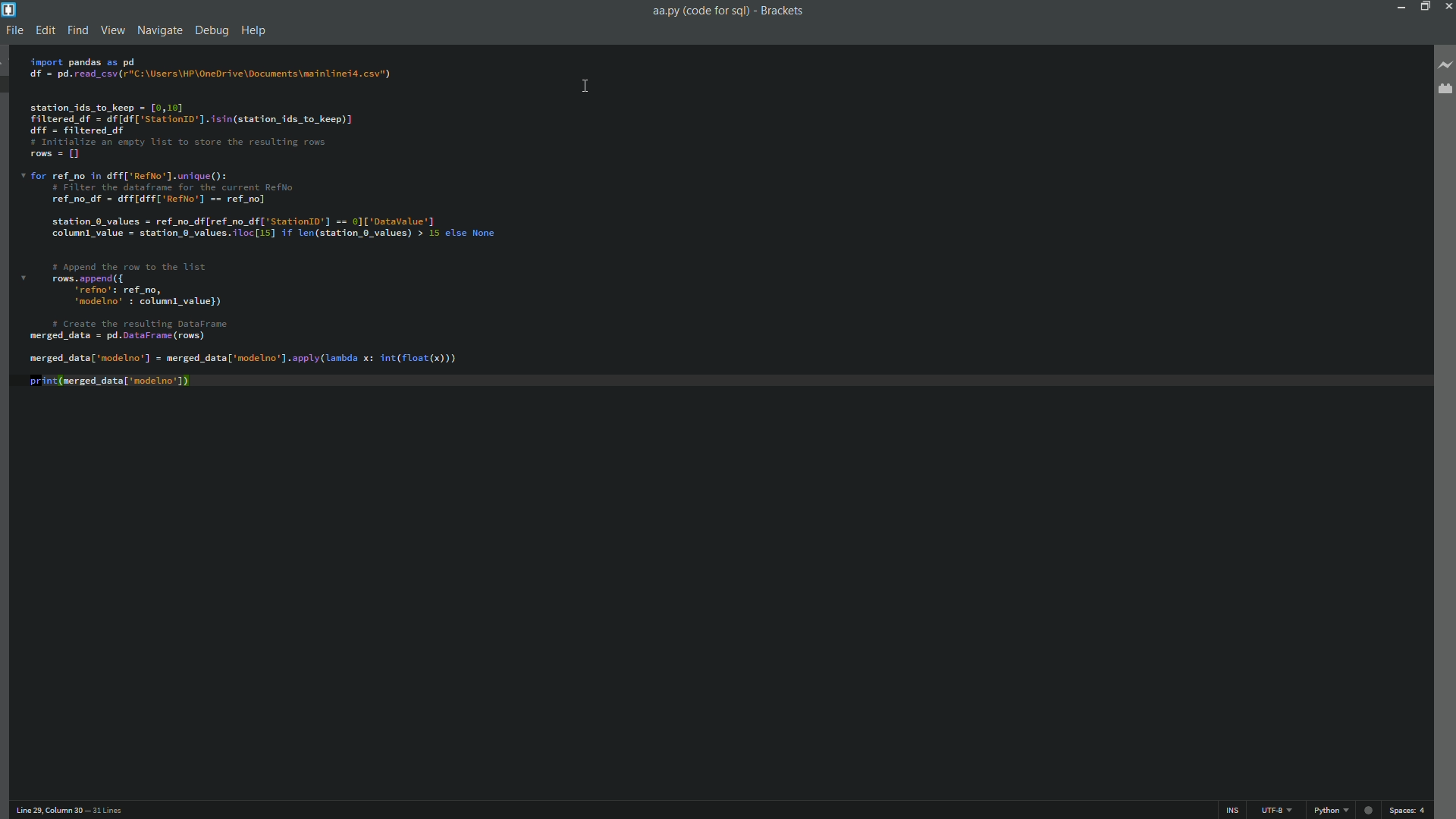 The width and height of the screenshot is (1456, 819). Describe the element at coordinates (10, 10) in the screenshot. I see `app icon` at that location.